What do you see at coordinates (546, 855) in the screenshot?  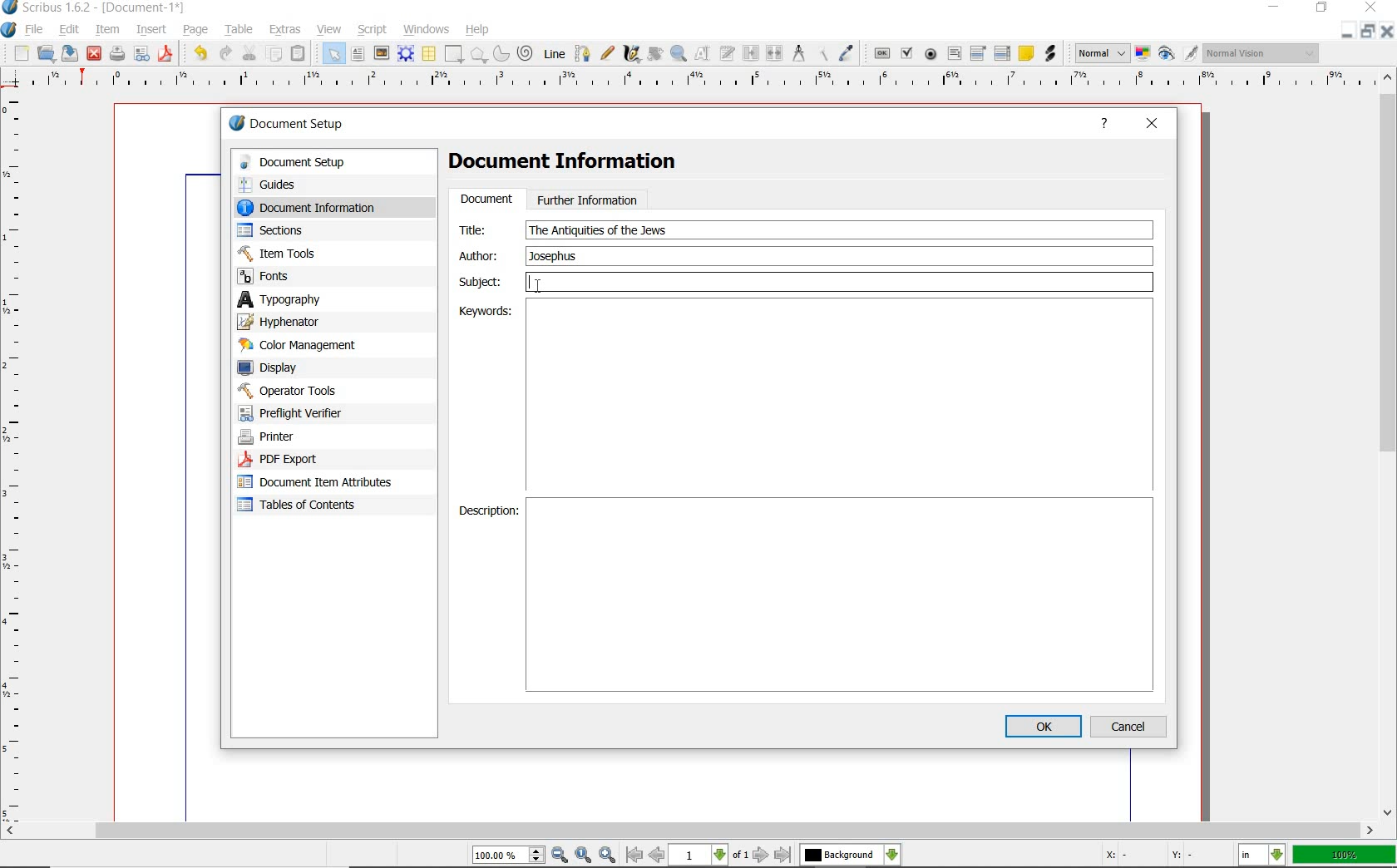 I see `zoom in/zoom to/zoom out` at bounding box center [546, 855].